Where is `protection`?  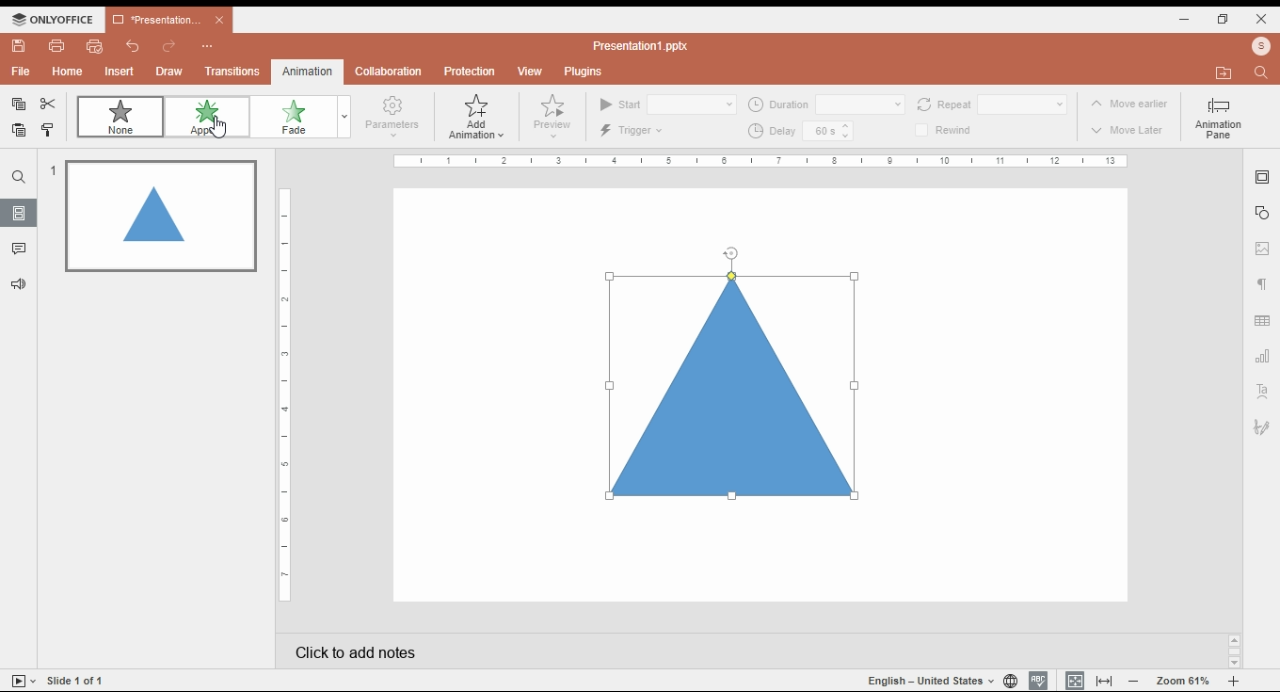 protection is located at coordinates (472, 71).